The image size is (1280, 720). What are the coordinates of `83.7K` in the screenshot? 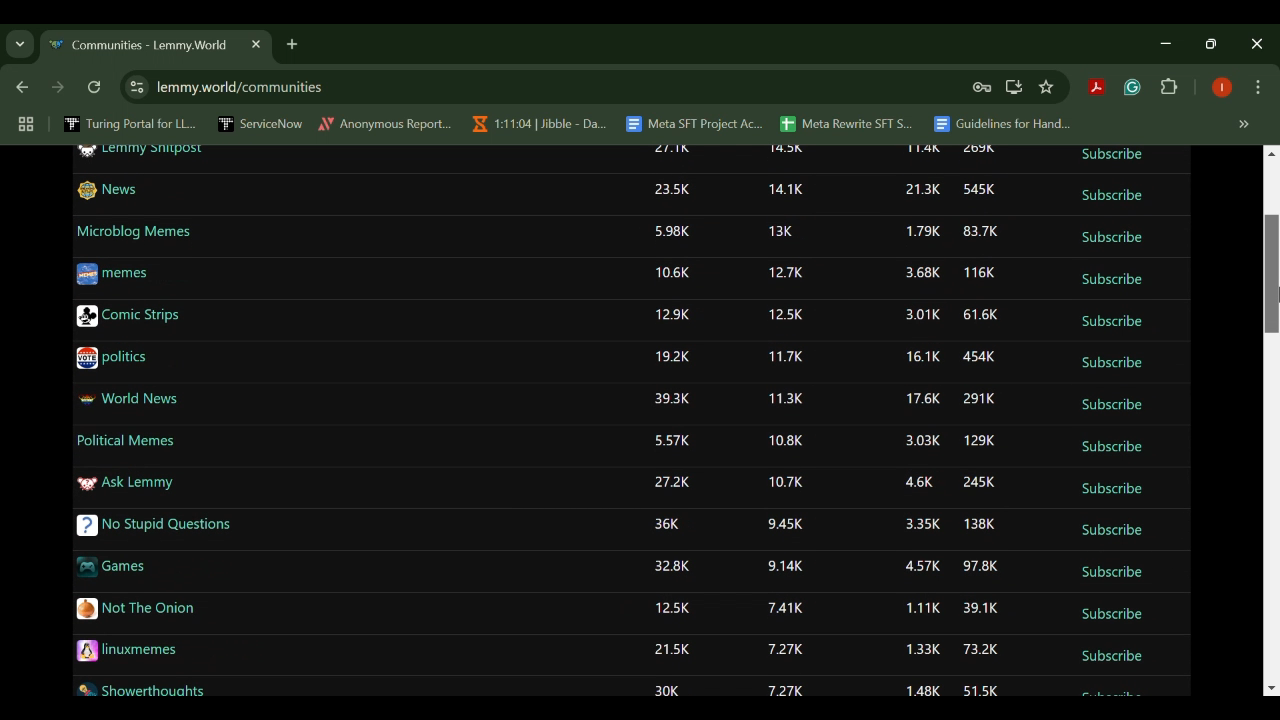 It's located at (980, 231).